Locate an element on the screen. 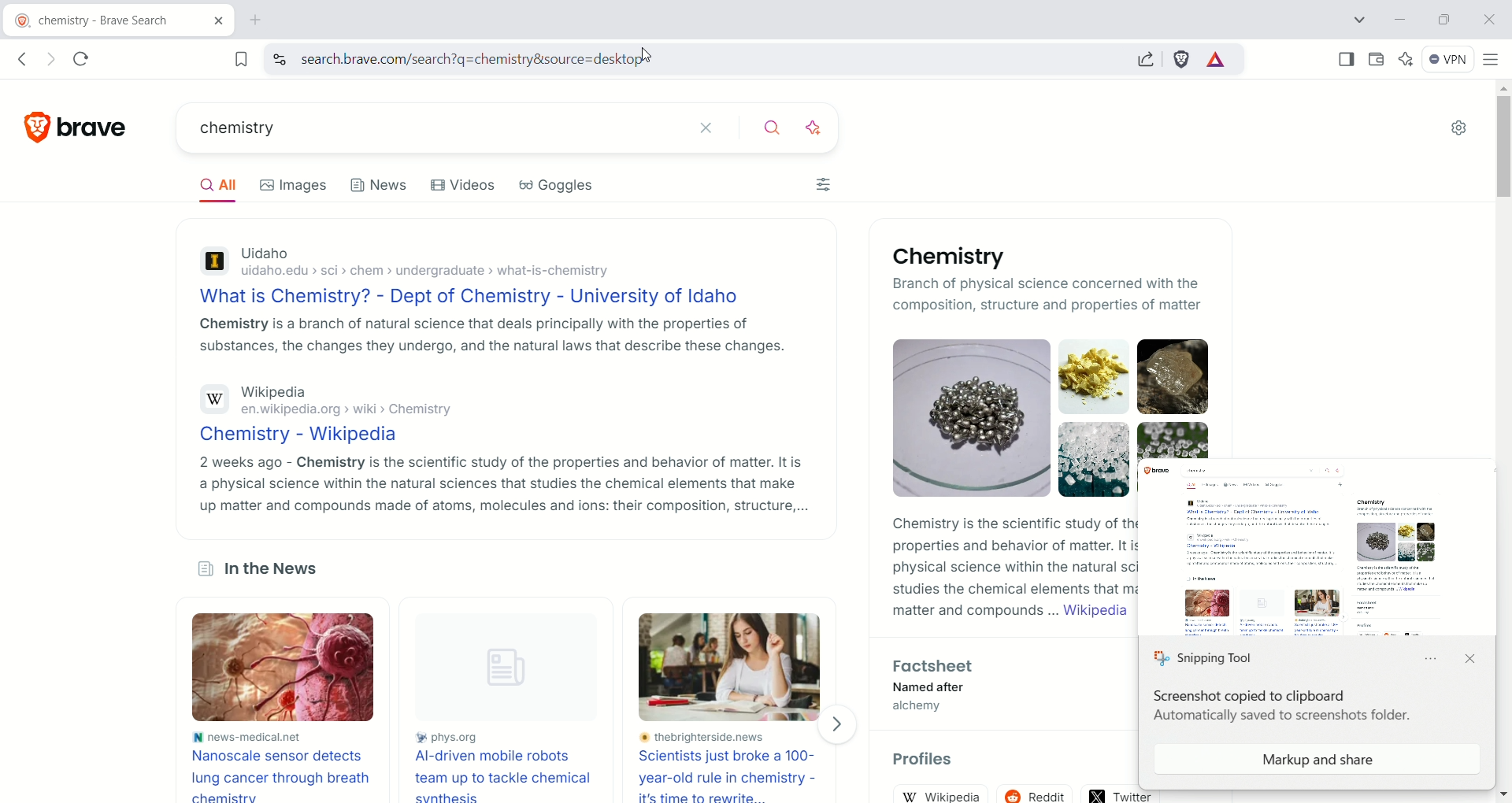 The height and width of the screenshot is (803, 1512). brave rewards is located at coordinates (1217, 61).